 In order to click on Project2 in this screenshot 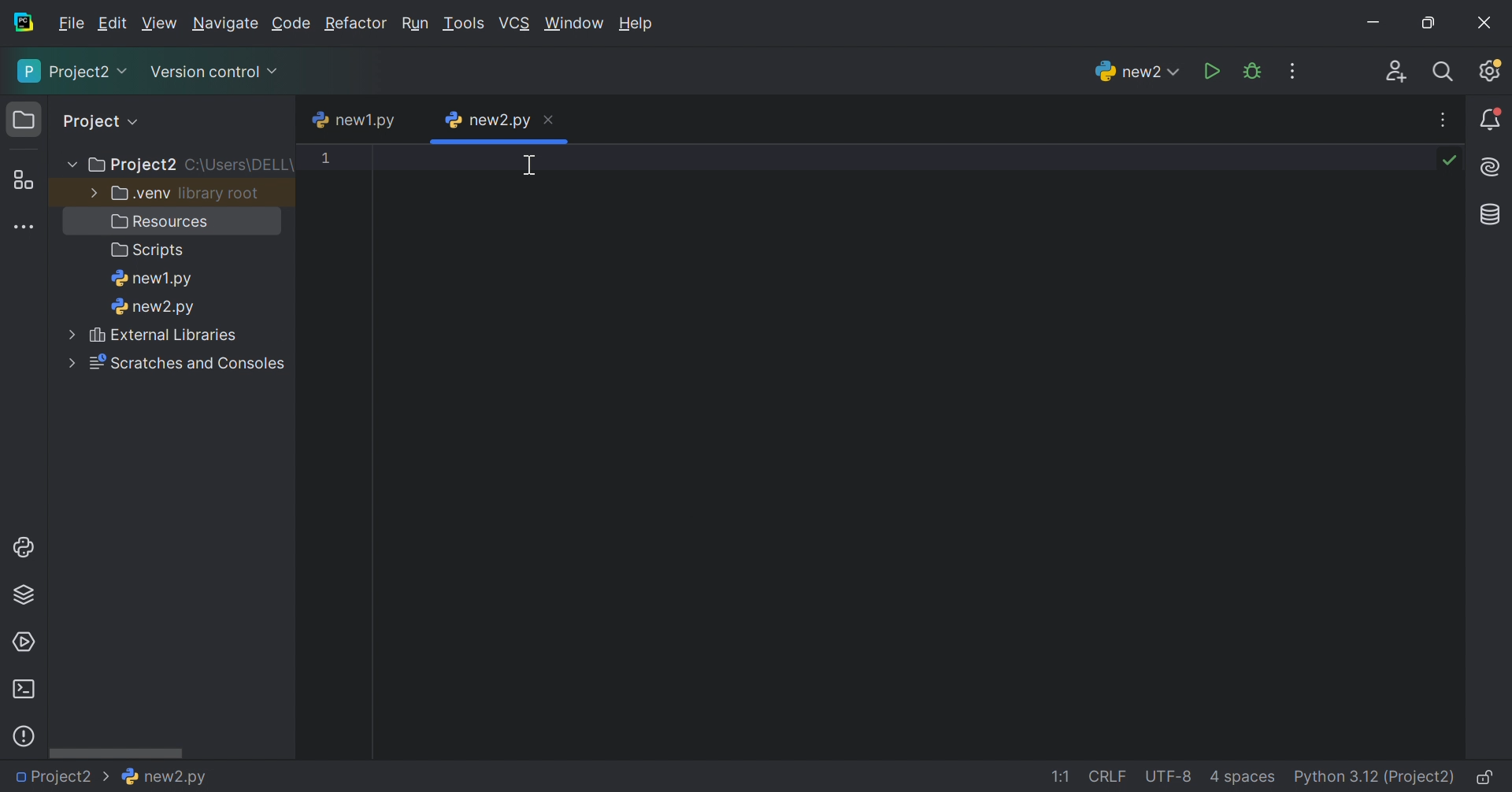, I will do `click(133, 165)`.